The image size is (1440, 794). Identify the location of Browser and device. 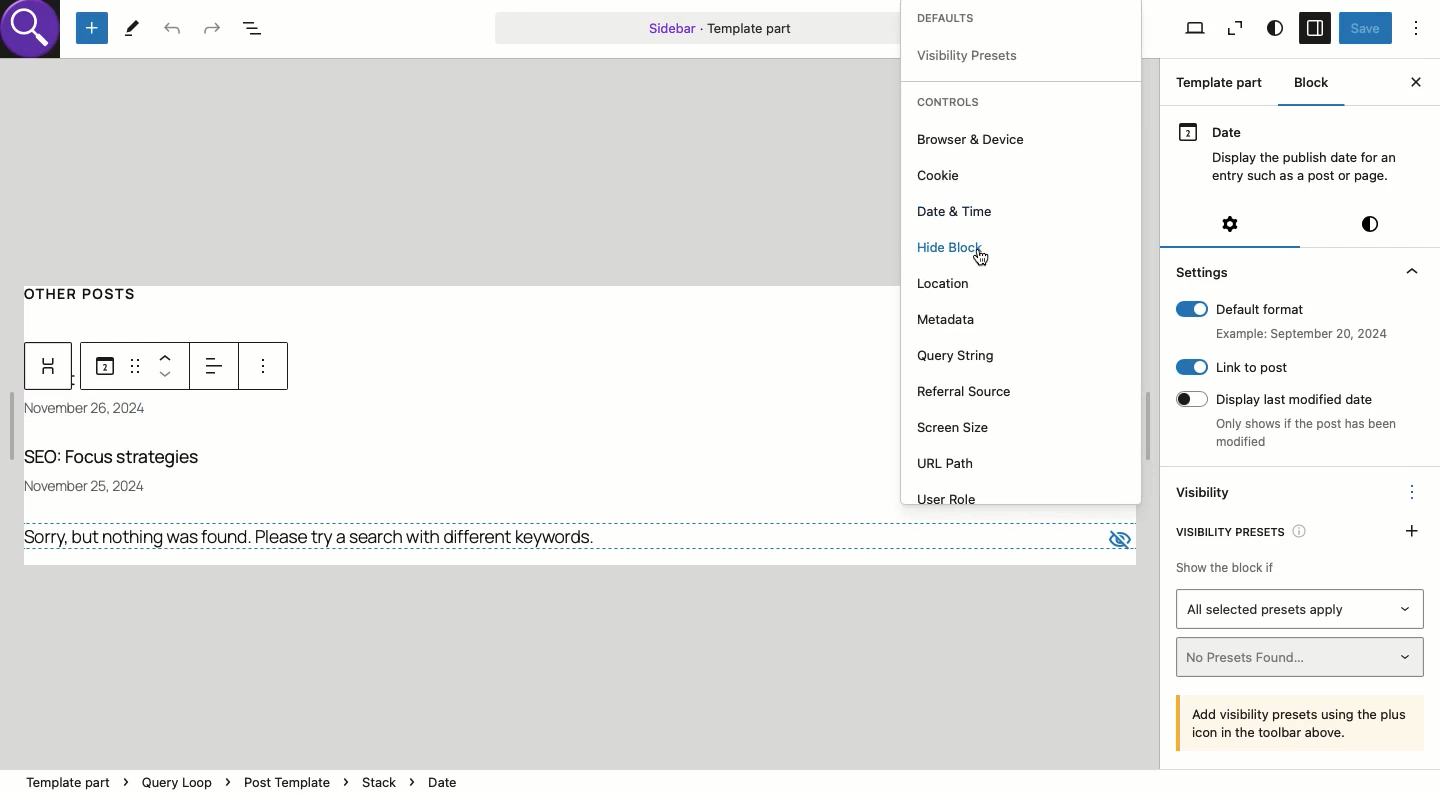
(977, 140).